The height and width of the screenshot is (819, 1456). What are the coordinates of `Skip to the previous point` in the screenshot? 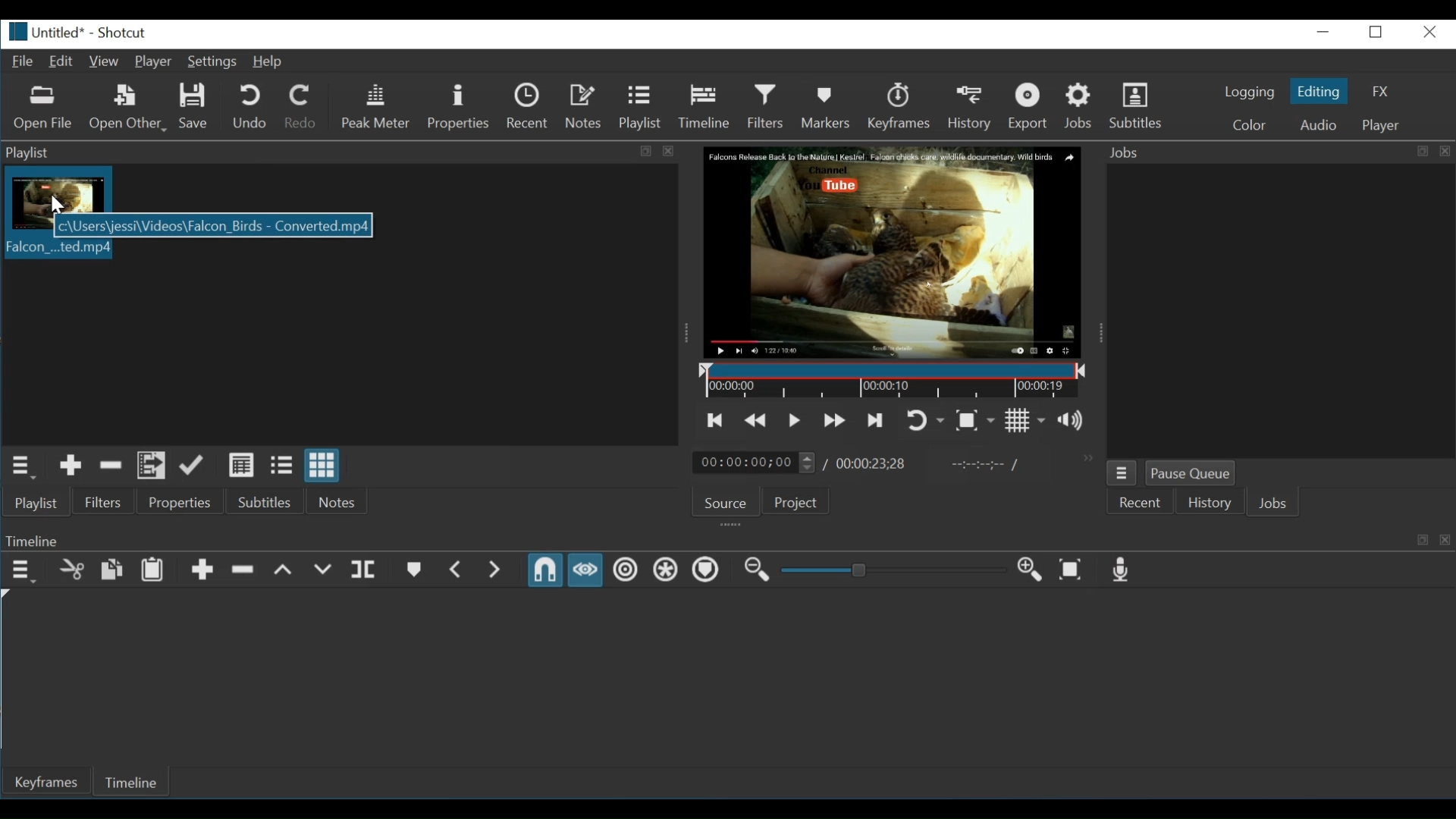 It's located at (716, 421).